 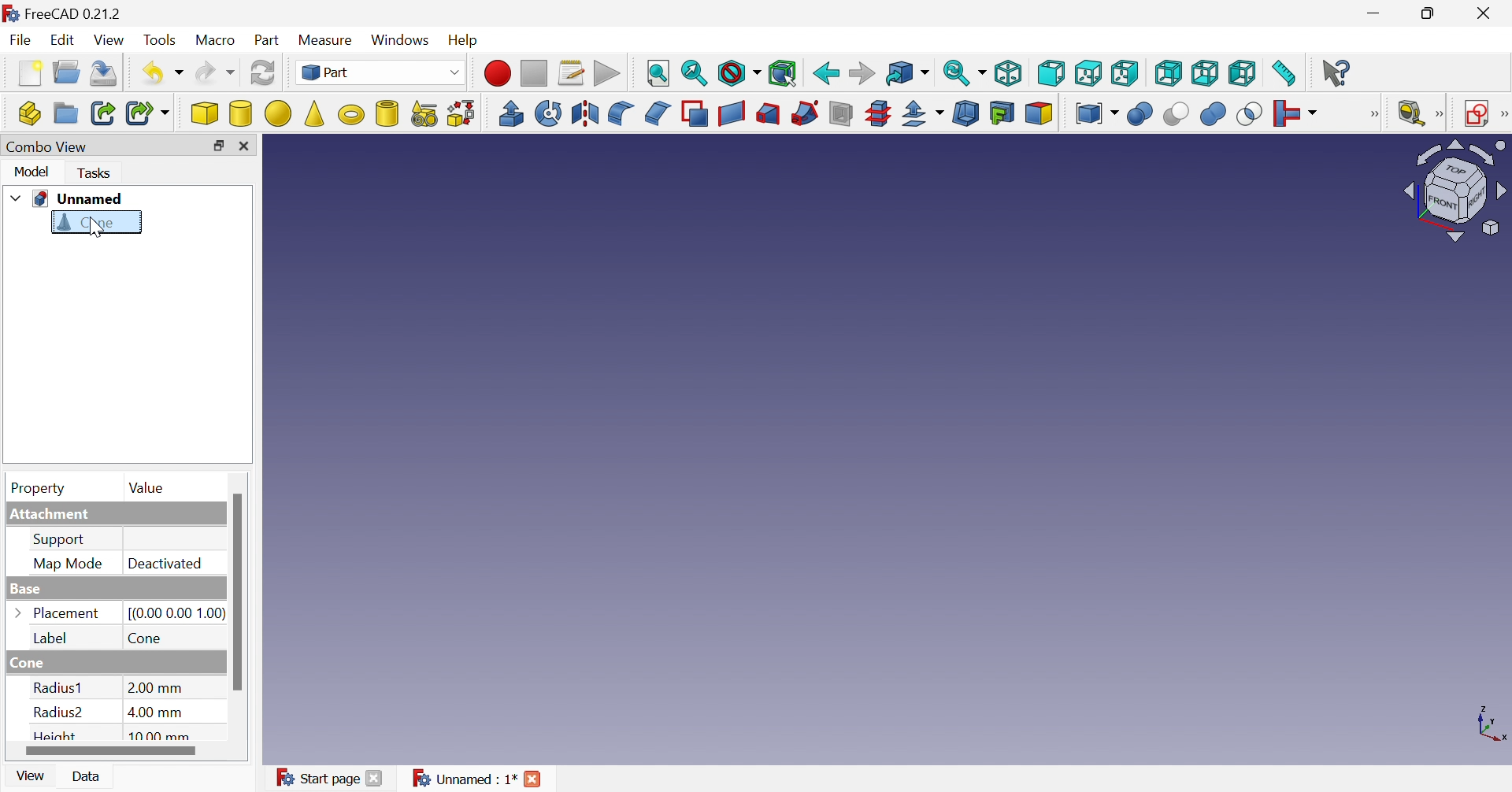 I want to click on Base, so click(x=29, y=590).